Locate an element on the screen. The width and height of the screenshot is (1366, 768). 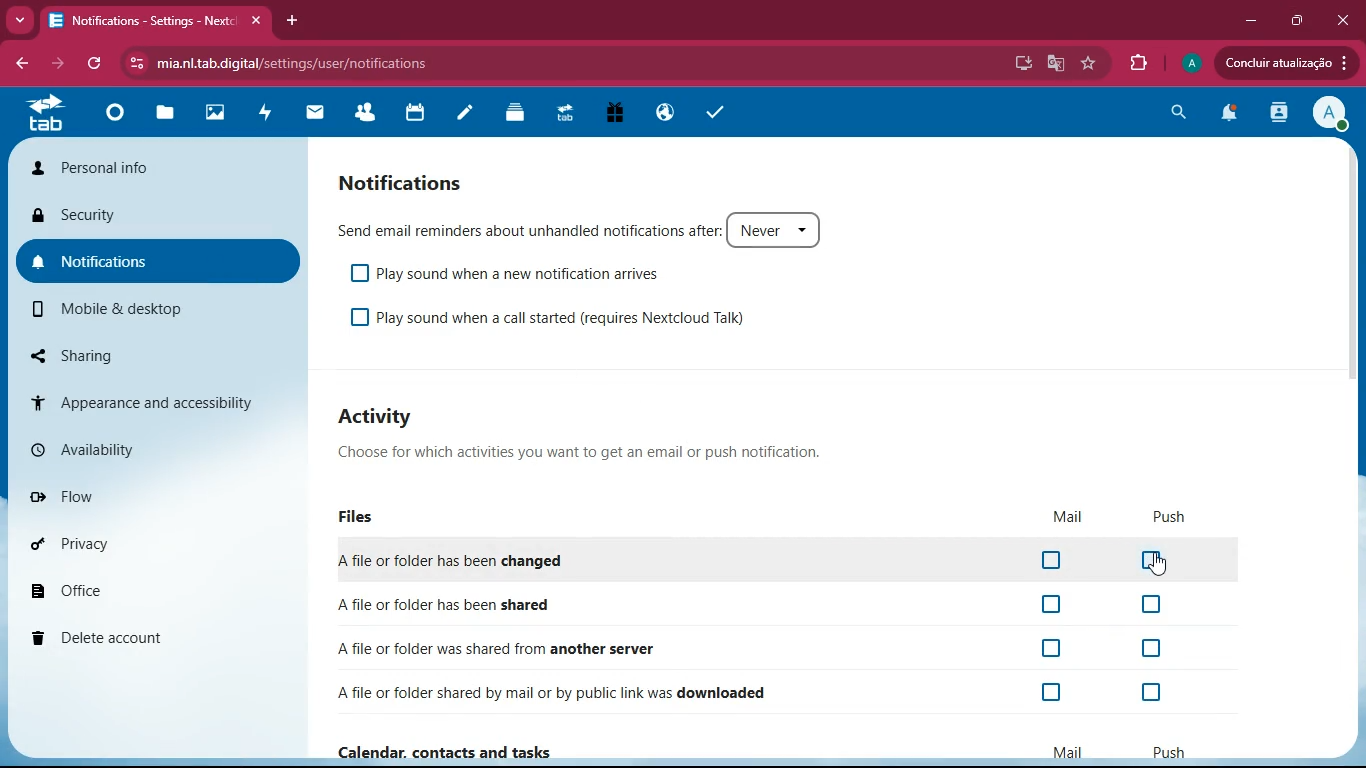
scrollbar is located at coordinates (1351, 272).